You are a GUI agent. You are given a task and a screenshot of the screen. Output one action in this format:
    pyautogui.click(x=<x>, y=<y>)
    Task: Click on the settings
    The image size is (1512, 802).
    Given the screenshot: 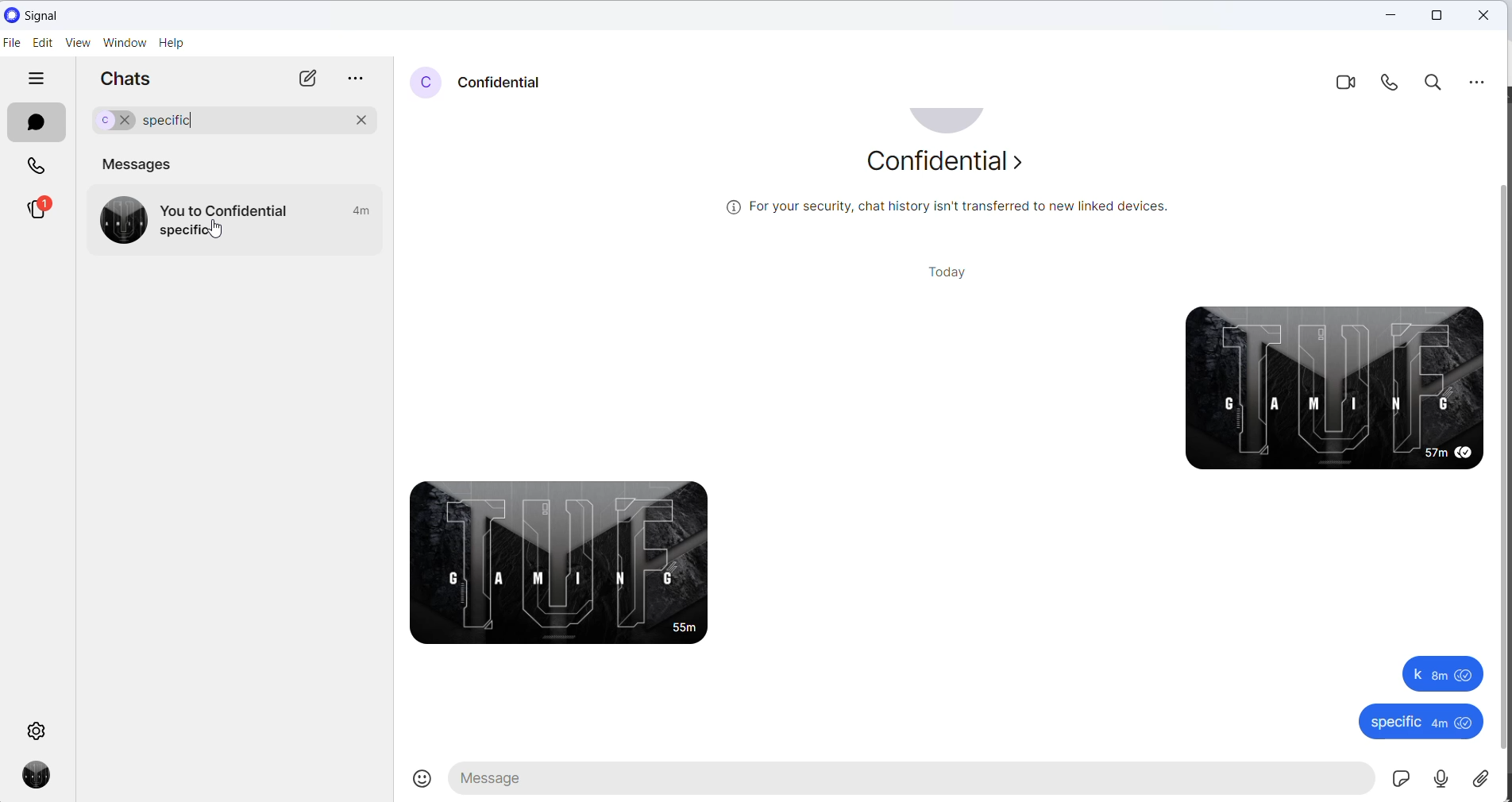 What is the action you would take?
    pyautogui.click(x=37, y=728)
    